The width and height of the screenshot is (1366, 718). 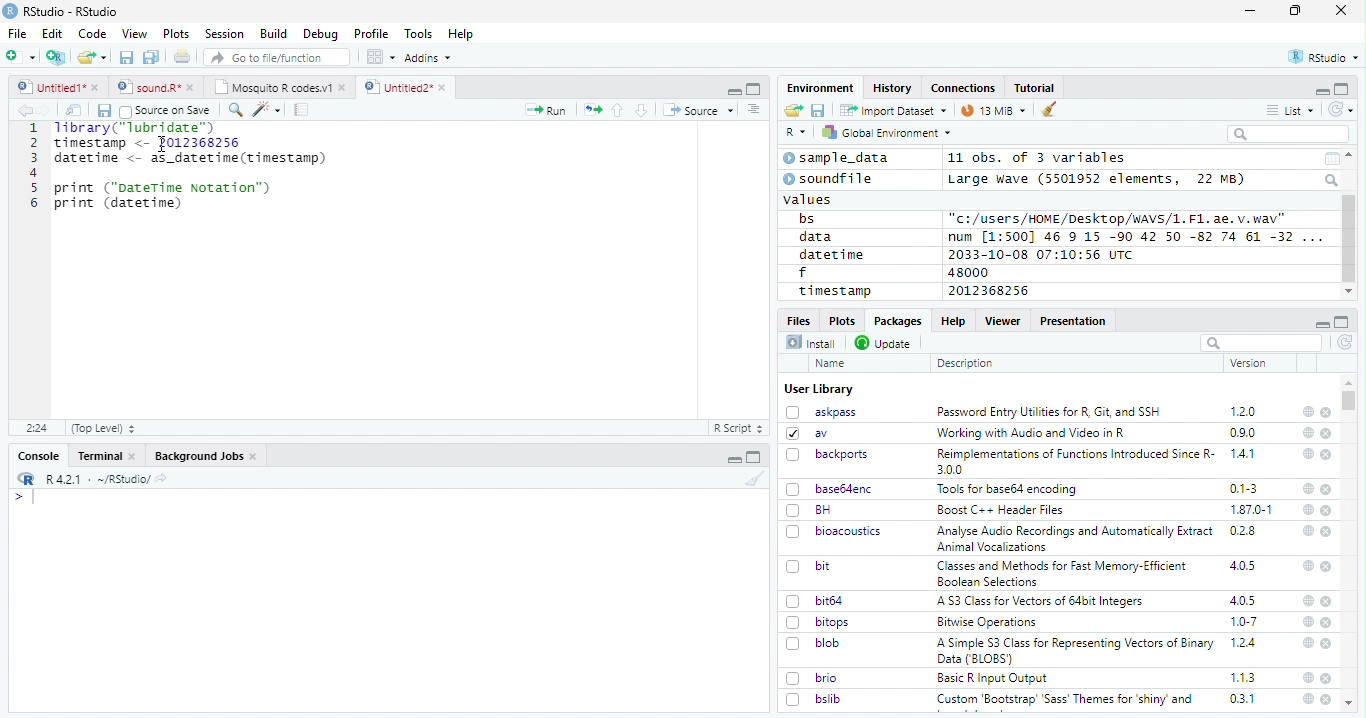 I want to click on av, so click(x=807, y=432).